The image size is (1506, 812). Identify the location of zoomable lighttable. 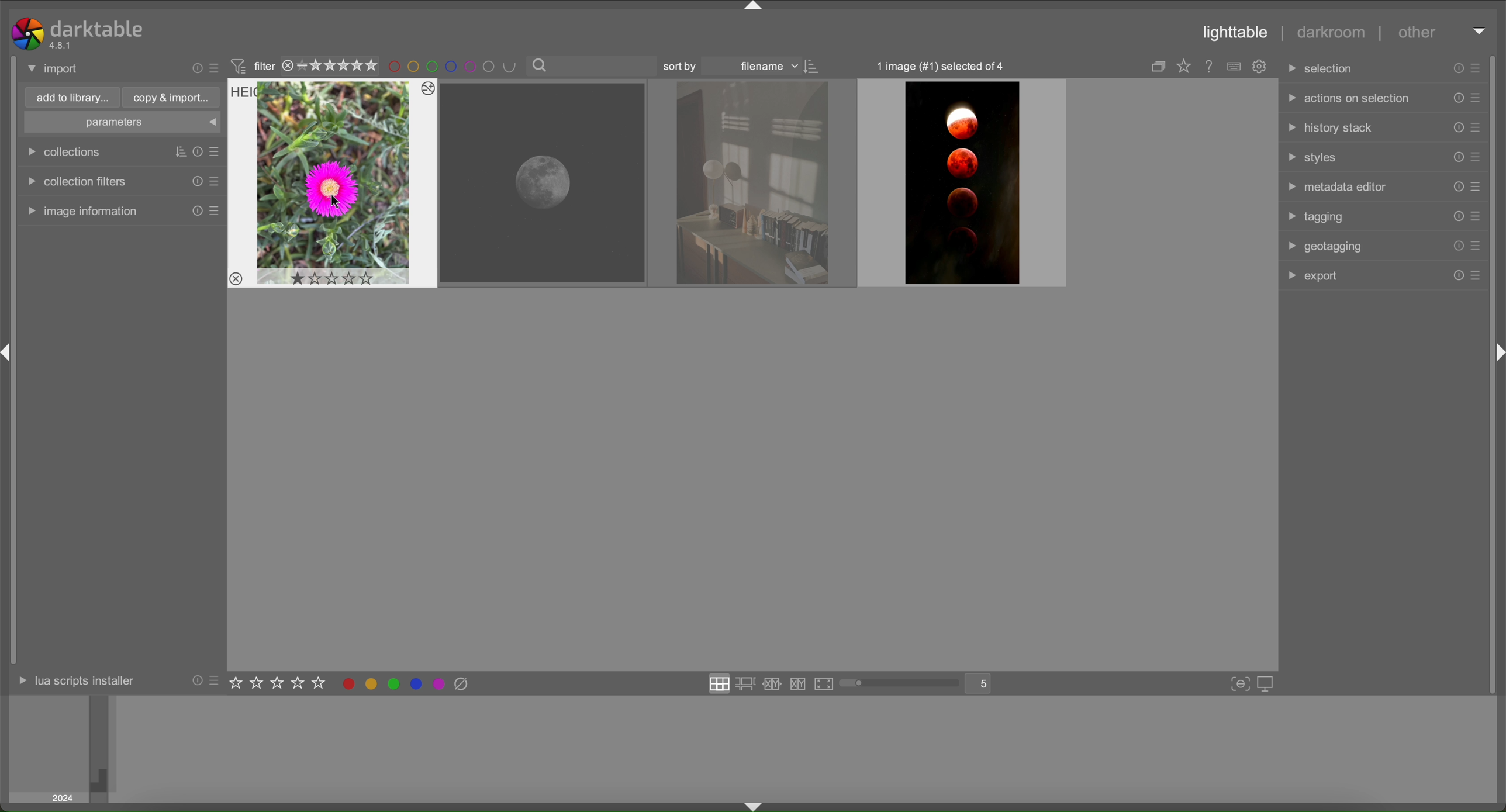
(747, 685).